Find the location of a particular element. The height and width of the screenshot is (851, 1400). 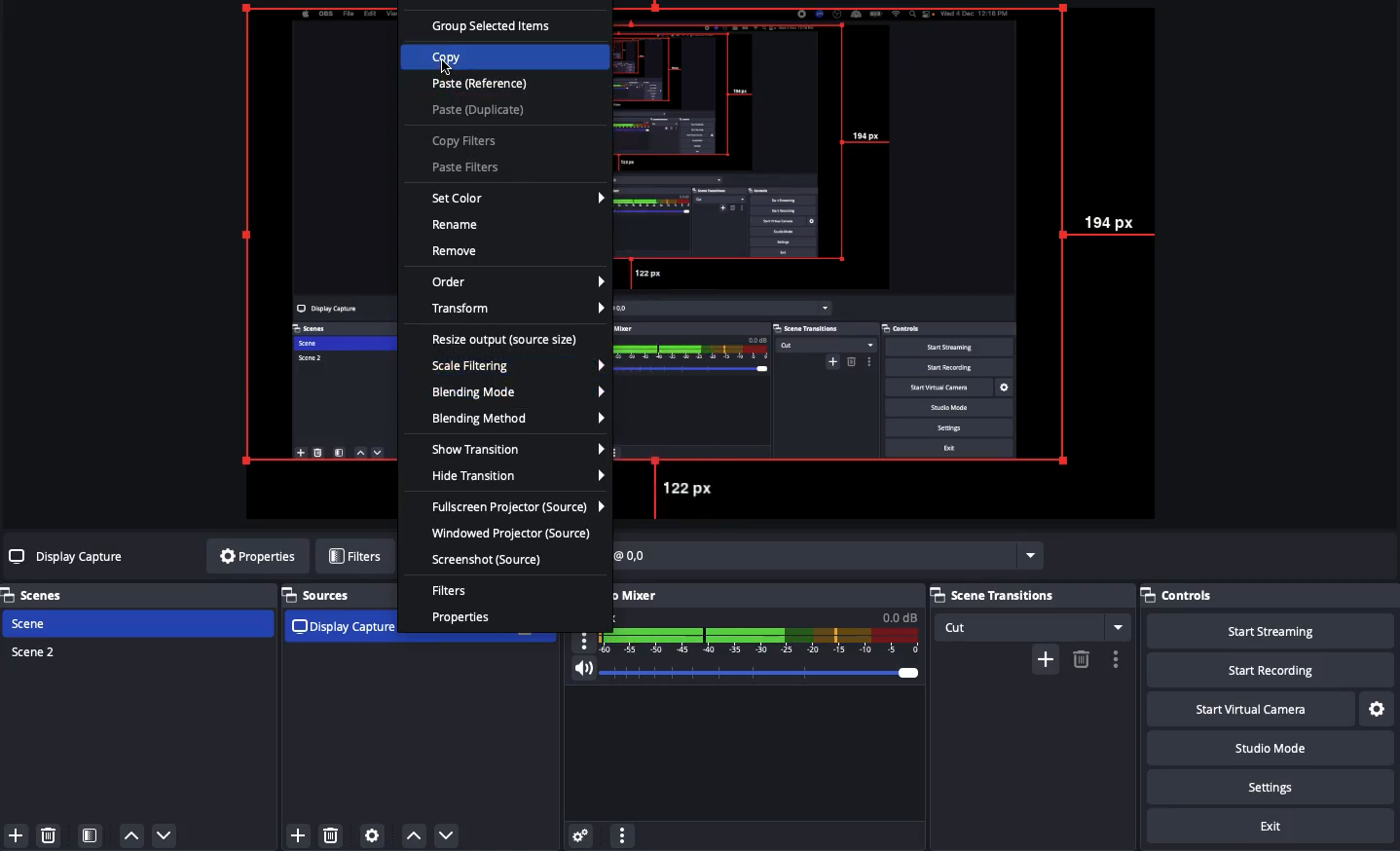

Start recording is located at coordinates (1265, 669).